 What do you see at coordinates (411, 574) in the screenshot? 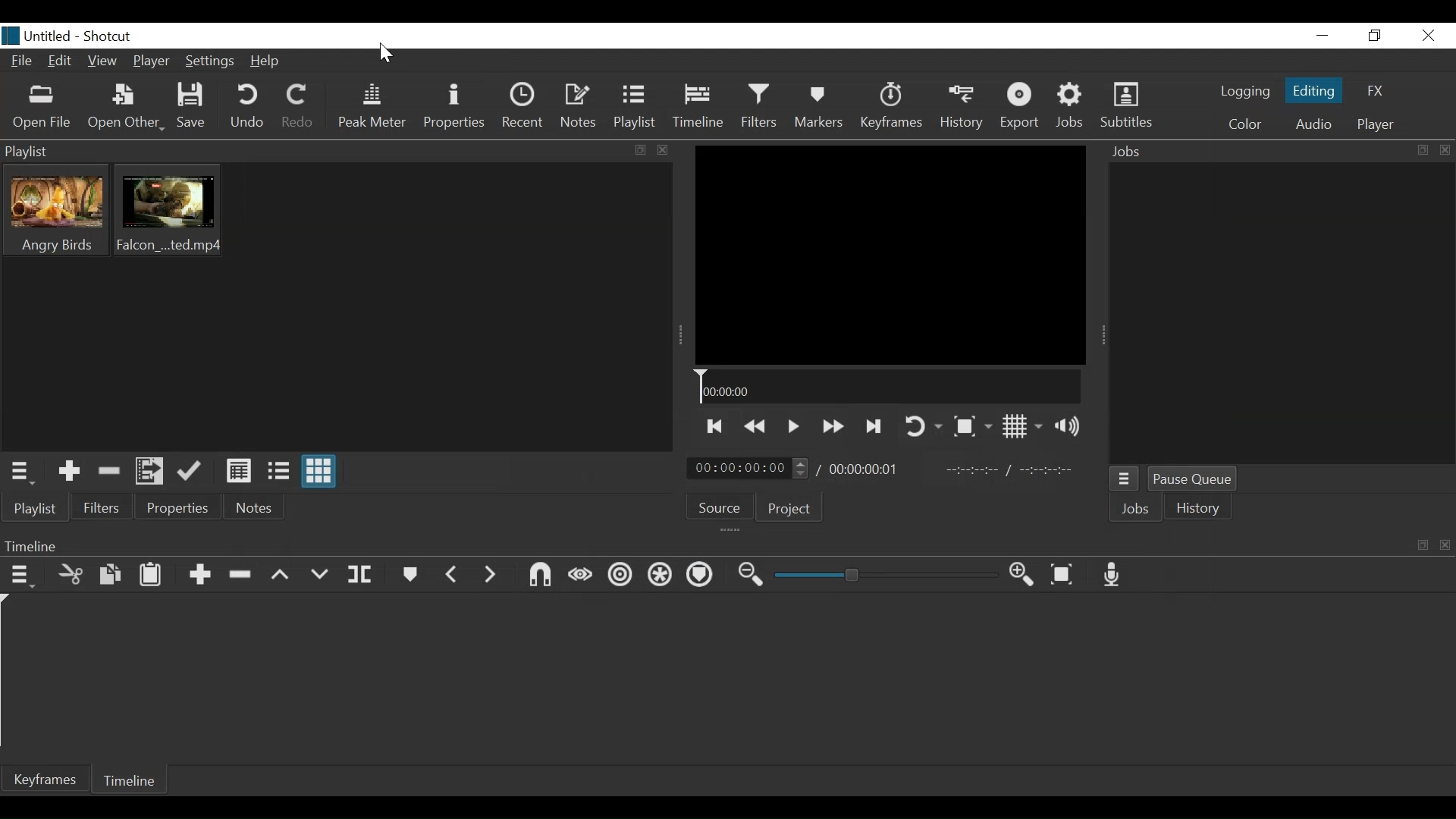
I see `Markers` at bounding box center [411, 574].